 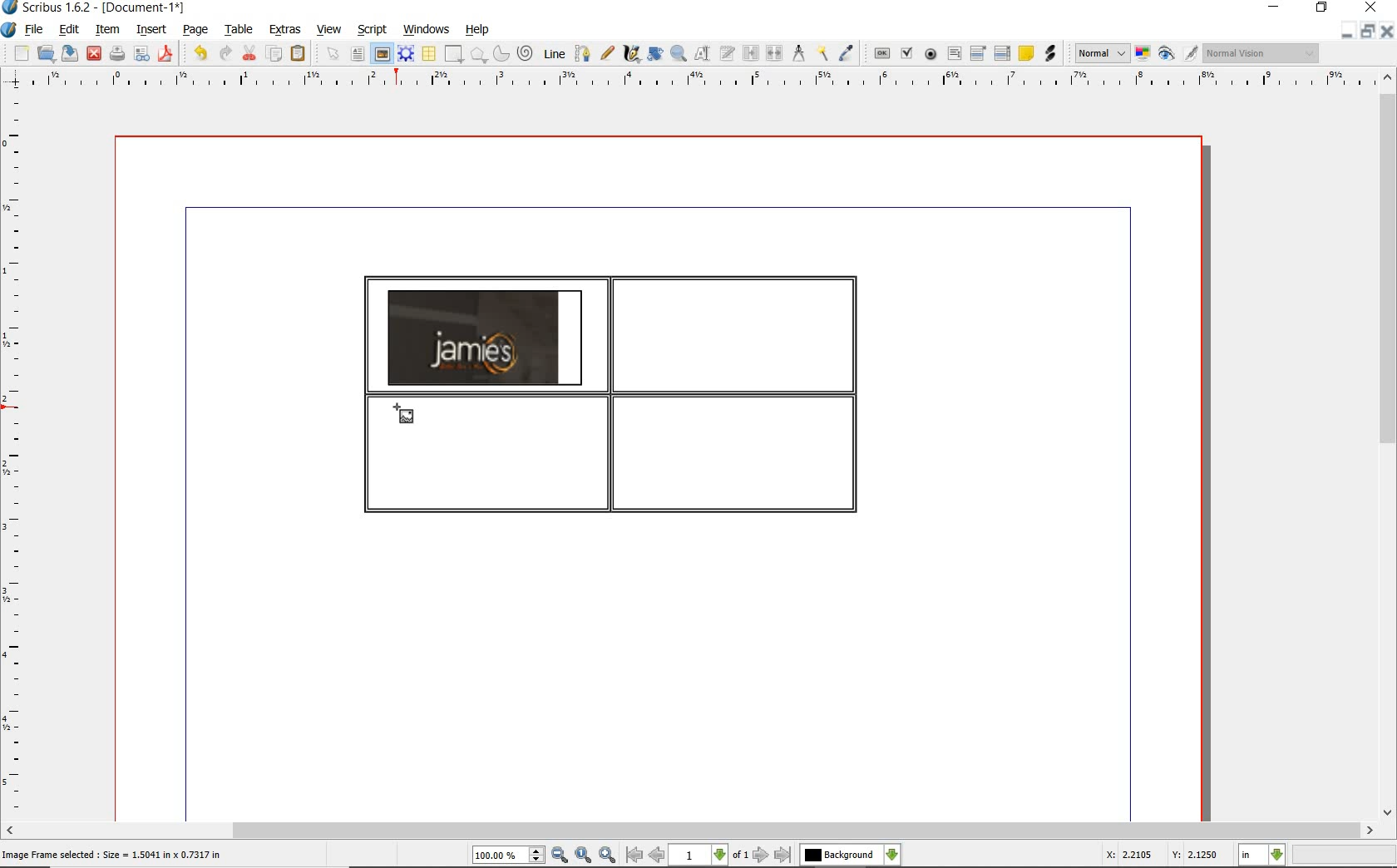 What do you see at coordinates (1387, 446) in the screenshot?
I see `scrollbar` at bounding box center [1387, 446].